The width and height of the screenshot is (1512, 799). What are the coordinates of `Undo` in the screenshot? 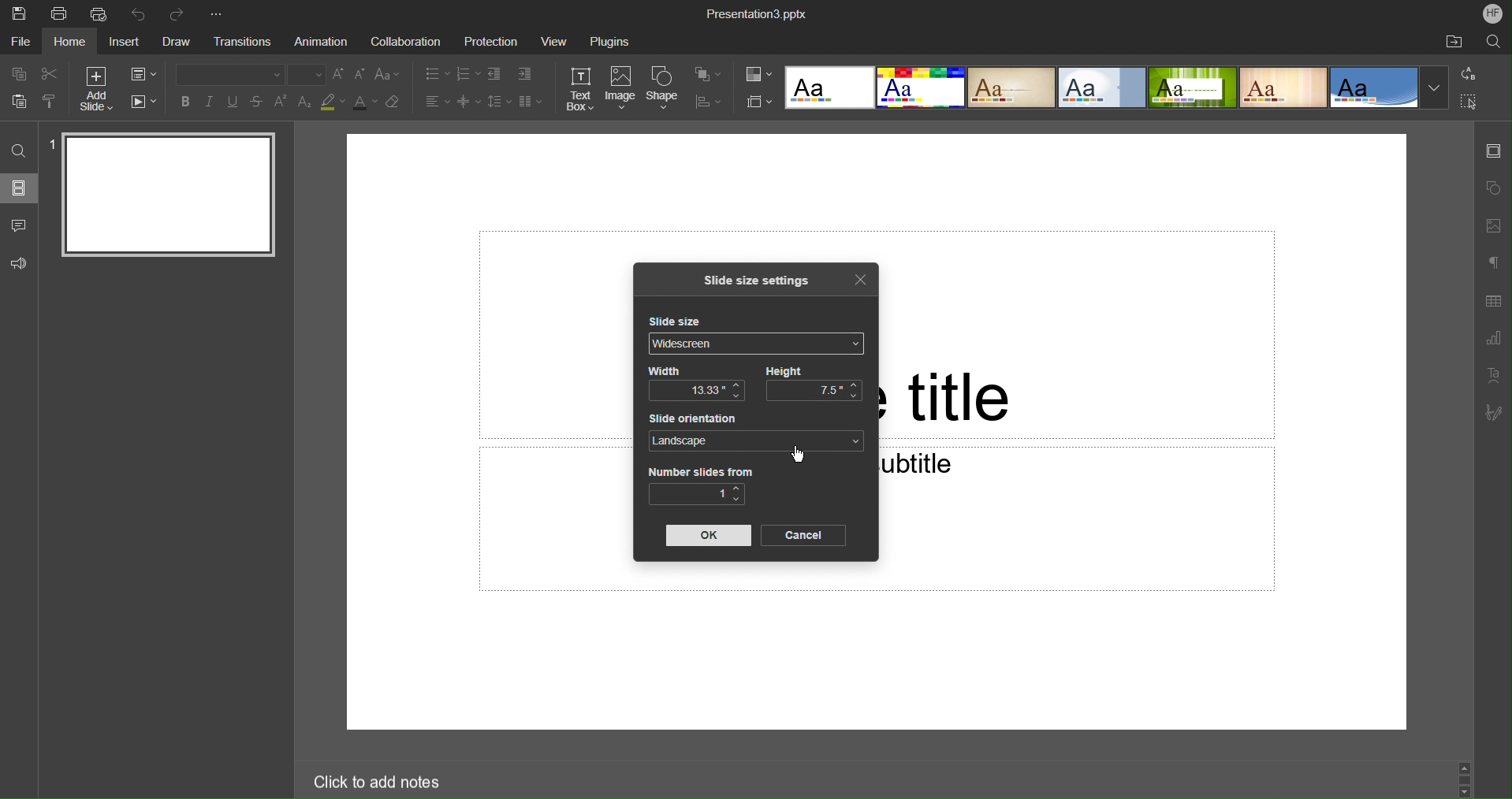 It's located at (140, 13).